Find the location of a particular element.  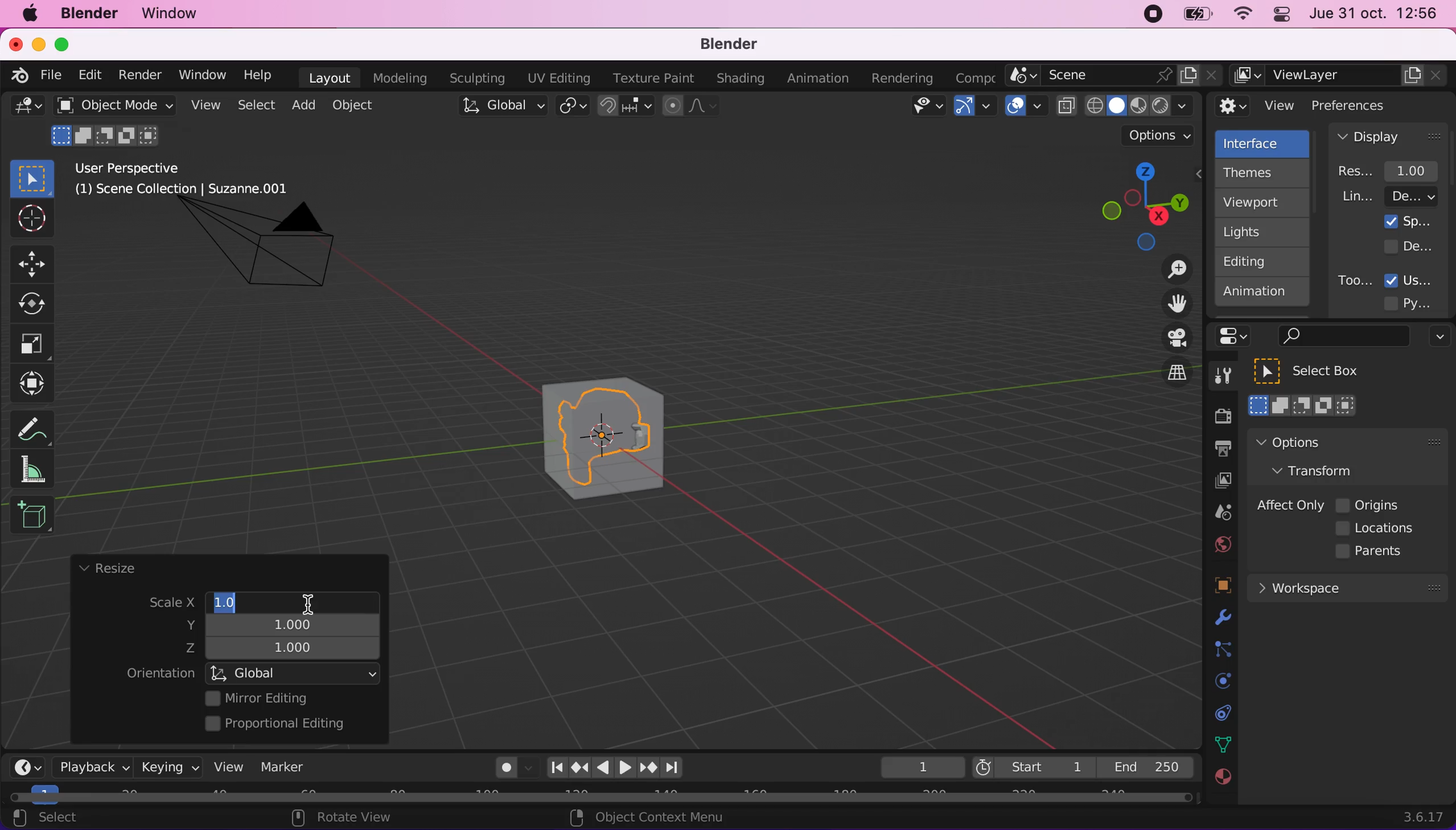

panel control is located at coordinates (1279, 16).